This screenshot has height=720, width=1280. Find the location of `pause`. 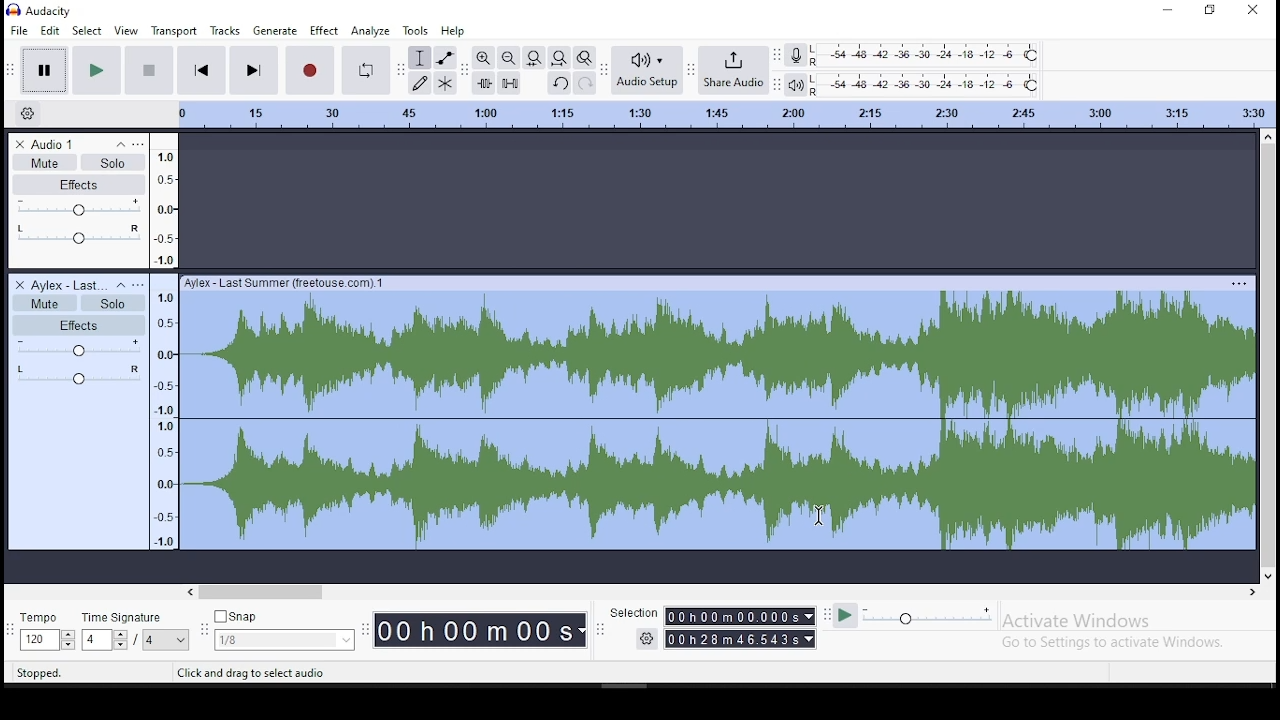

pause is located at coordinates (41, 69).